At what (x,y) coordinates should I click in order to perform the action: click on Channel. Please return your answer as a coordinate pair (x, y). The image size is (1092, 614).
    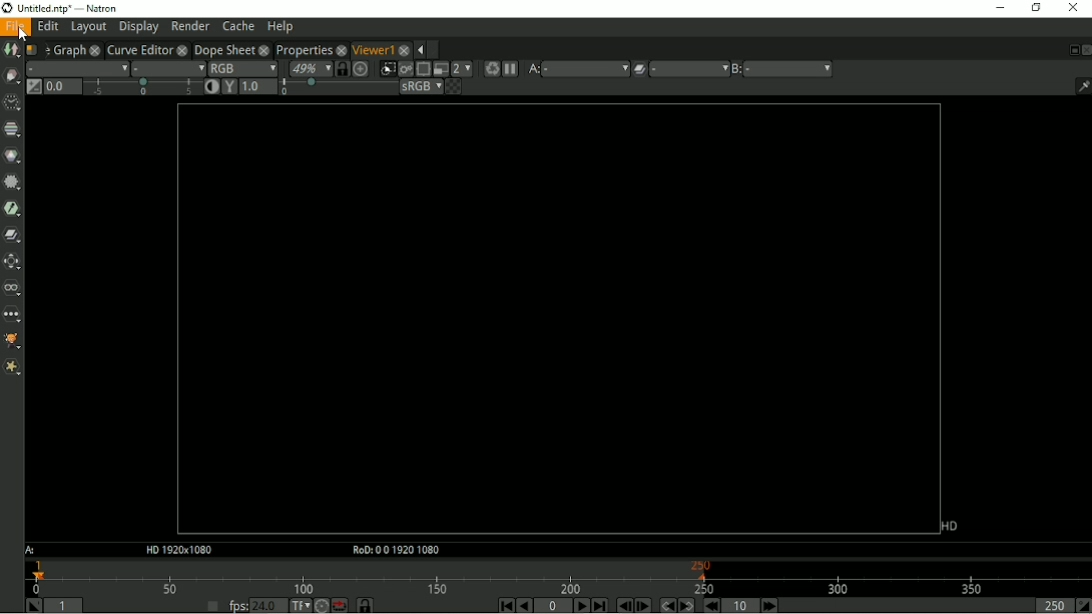
    Looking at the image, I should click on (12, 130).